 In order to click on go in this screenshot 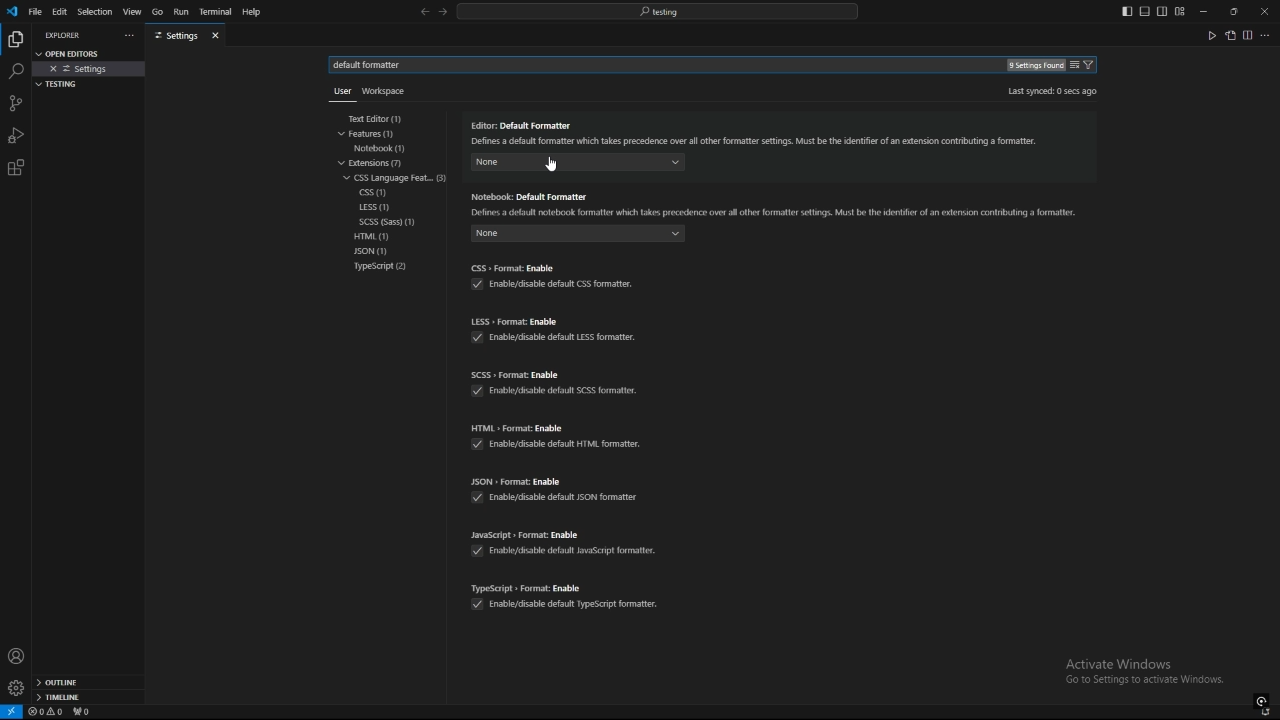, I will do `click(157, 12)`.